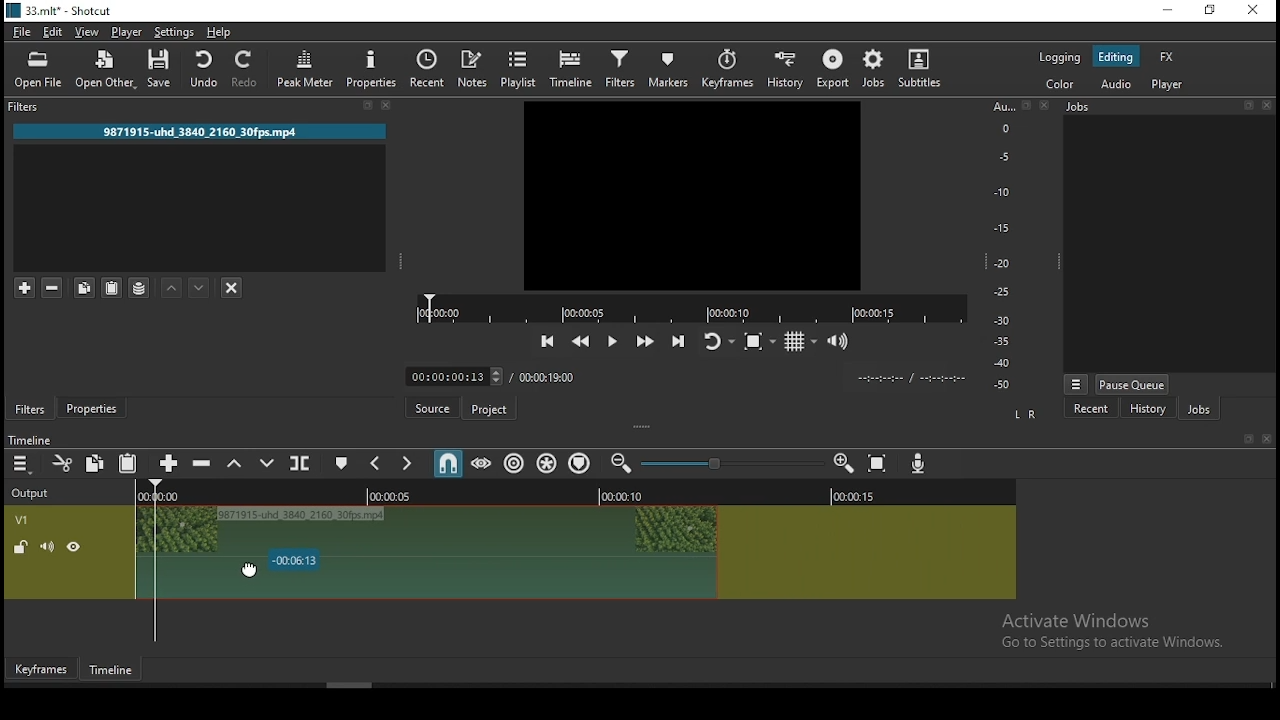 This screenshot has width=1280, height=720. Describe the element at coordinates (221, 32) in the screenshot. I see `help` at that location.